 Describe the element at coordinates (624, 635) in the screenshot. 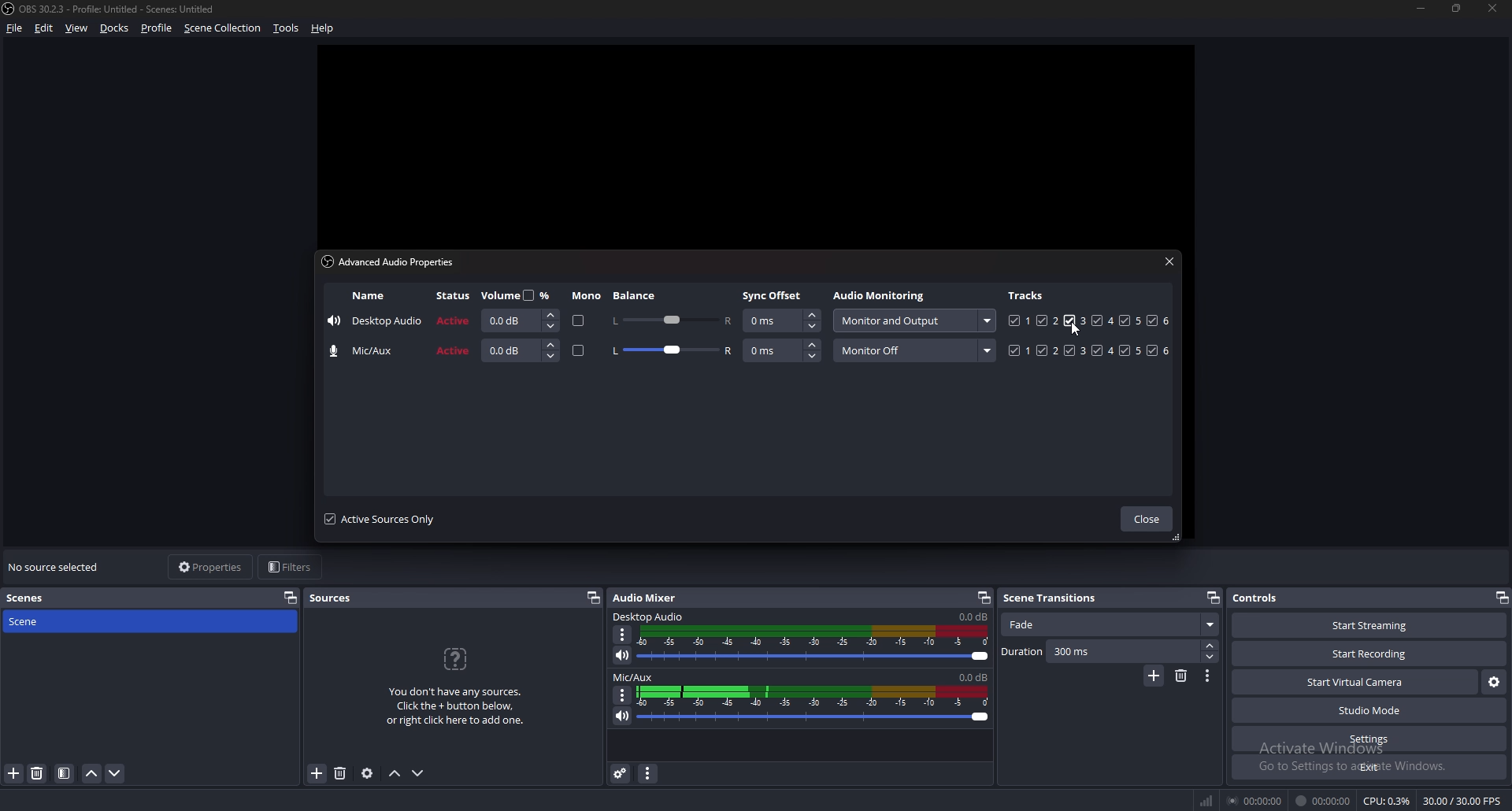

I see `options` at that location.